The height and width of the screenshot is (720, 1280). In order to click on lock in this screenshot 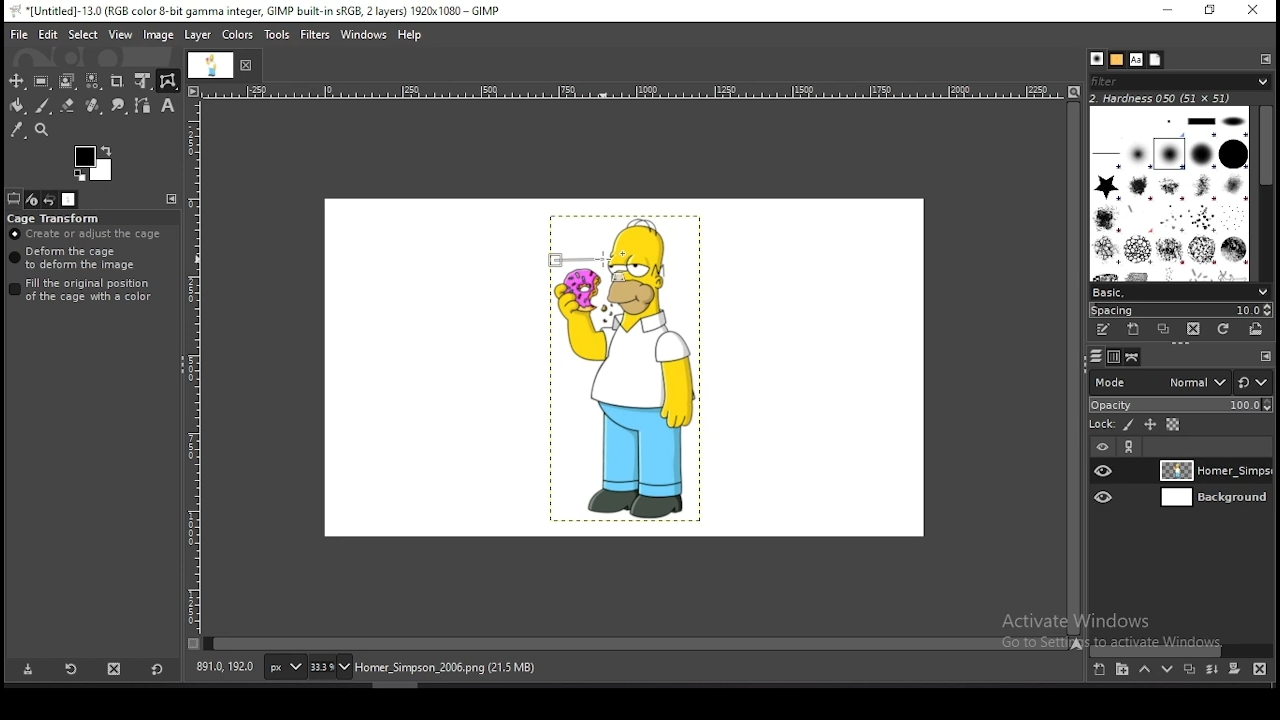, I will do `click(1100, 425)`.